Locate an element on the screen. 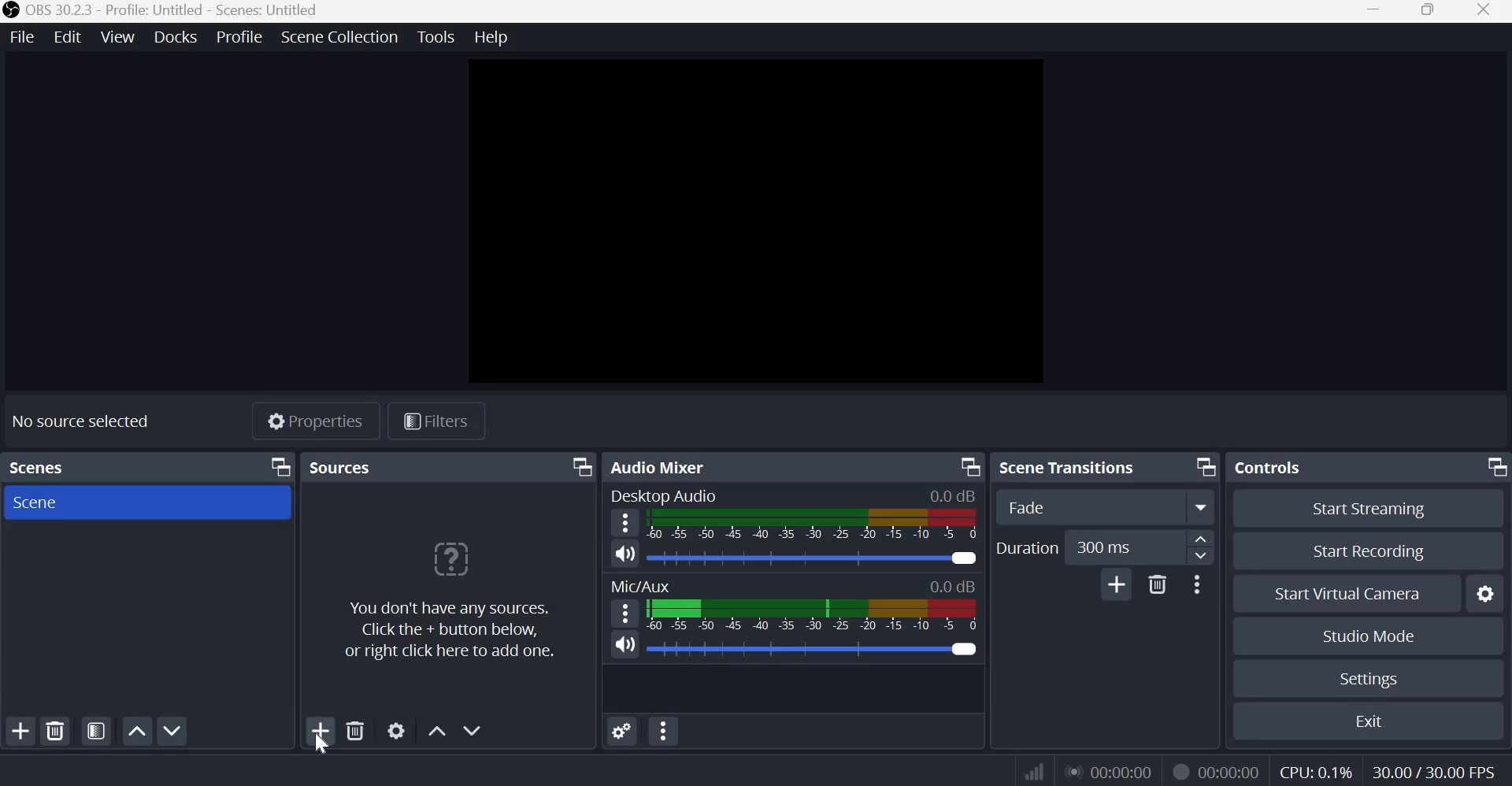   Dock Options icon is located at coordinates (1493, 466).